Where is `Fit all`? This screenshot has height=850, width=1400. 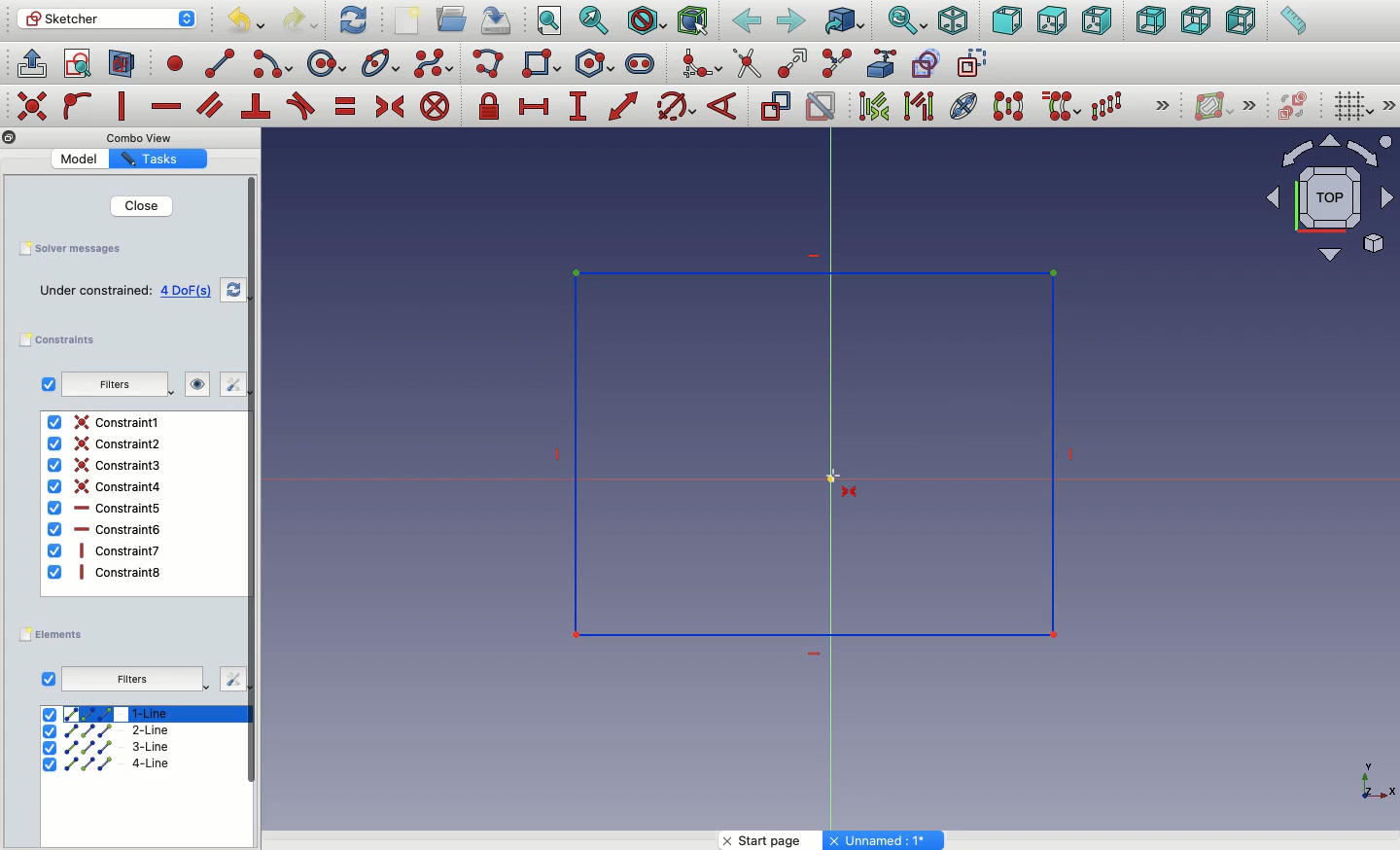
Fit all is located at coordinates (547, 22).